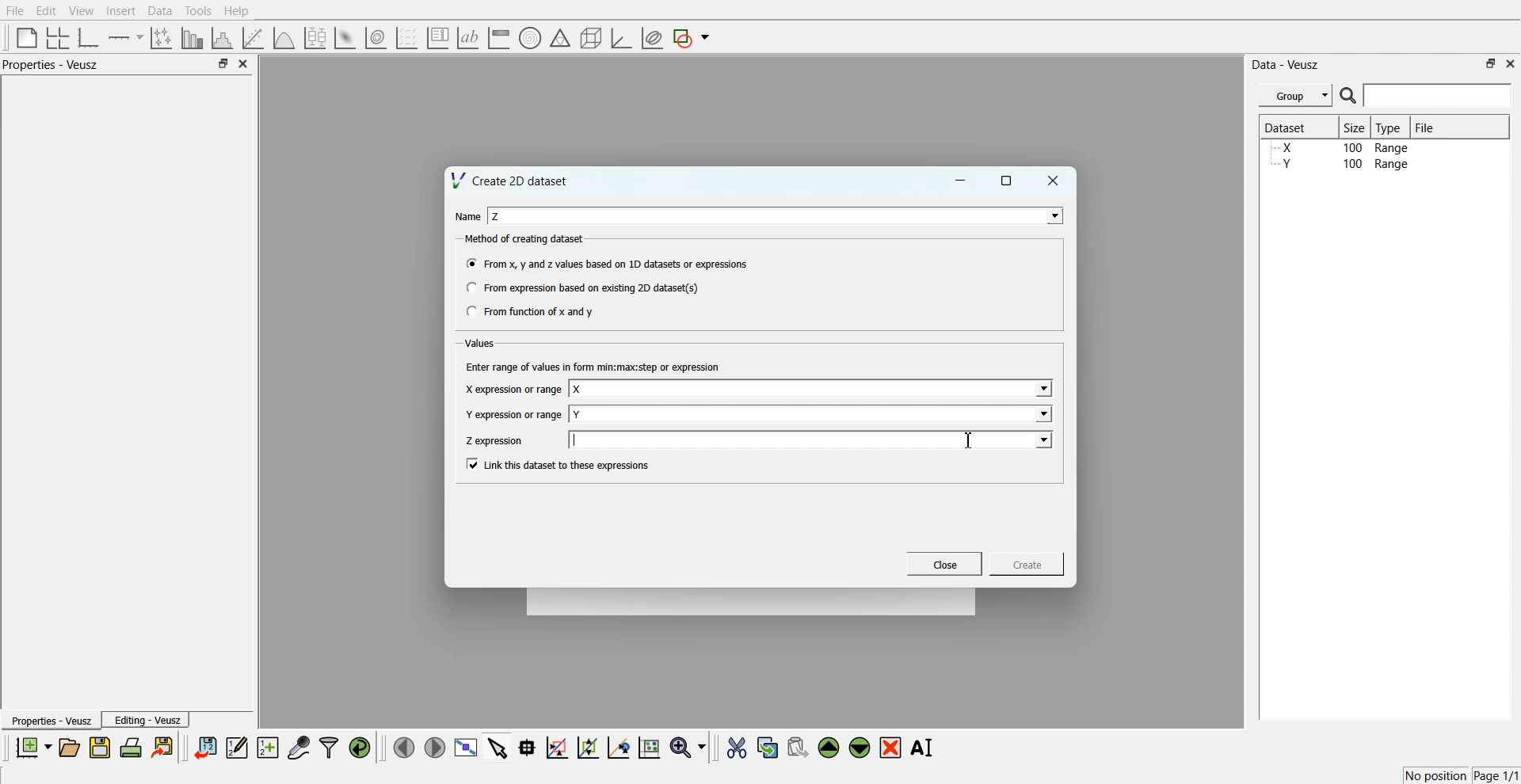 This screenshot has width=1521, height=784. What do you see at coordinates (1051, 215) in the screenshot?
I see `Drop down` at bounding box center [1051, 215].